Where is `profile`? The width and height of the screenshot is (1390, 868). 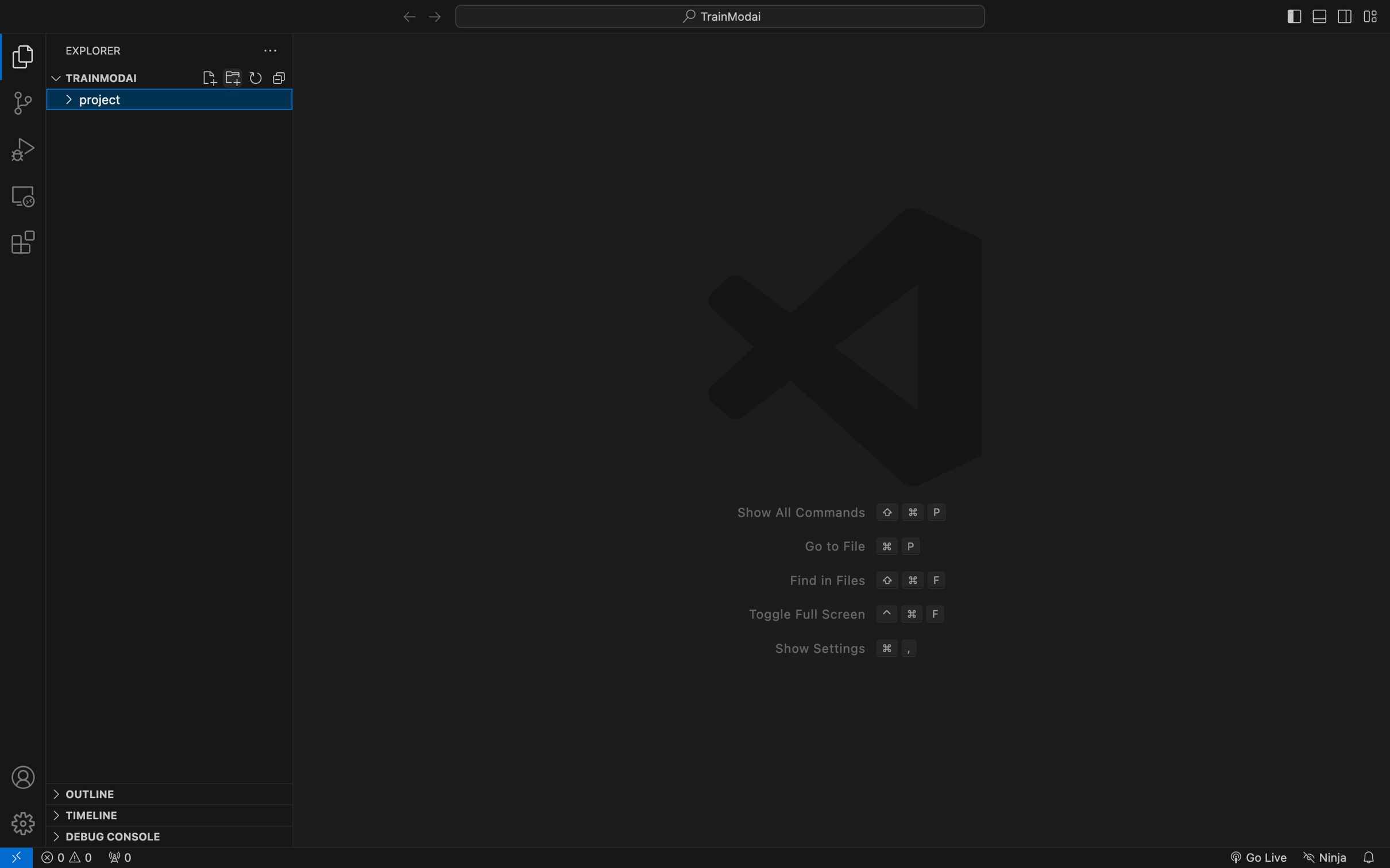 profile is located at coordinates (25, 776).